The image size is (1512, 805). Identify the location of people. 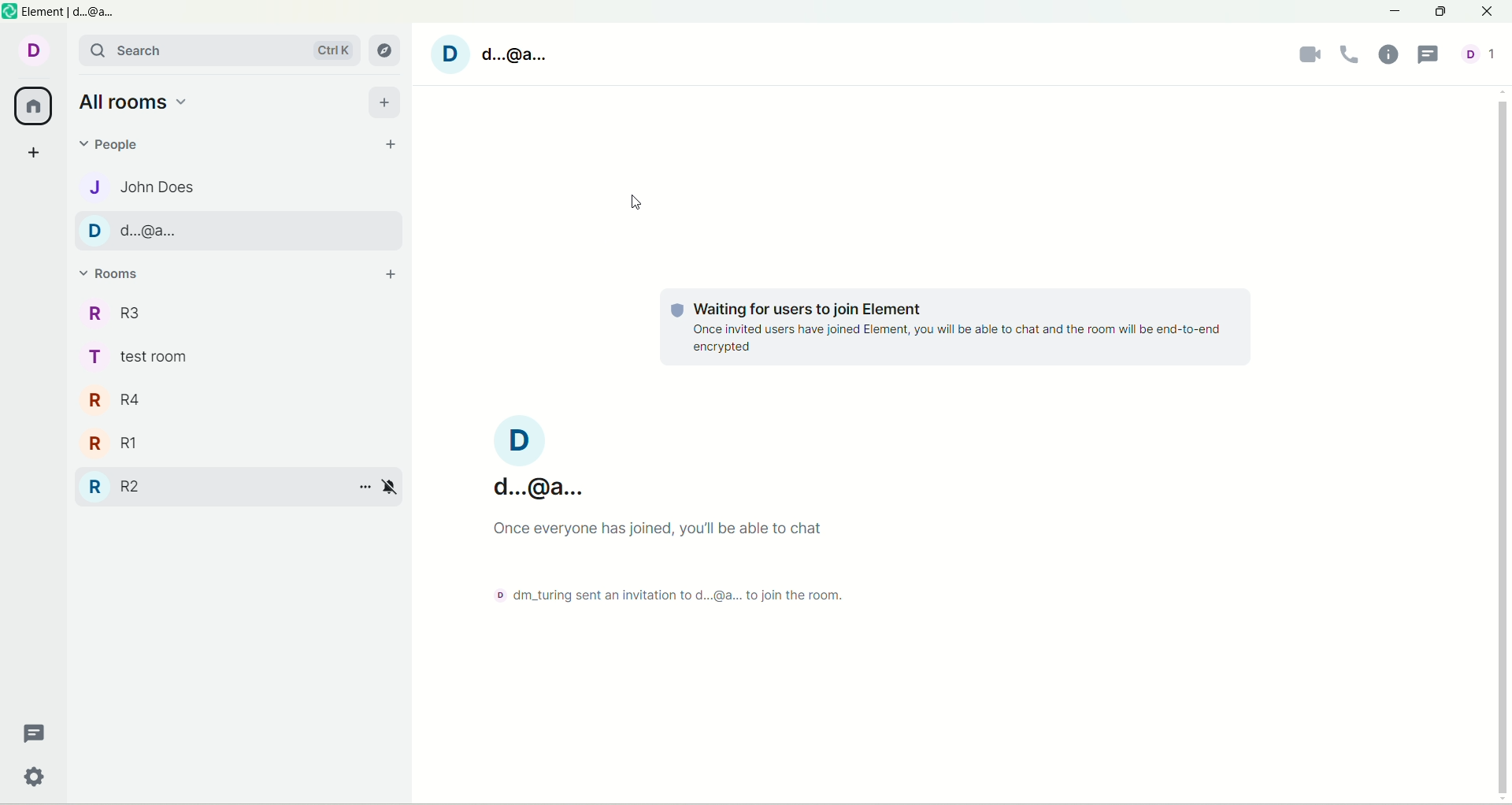
(146, 184).